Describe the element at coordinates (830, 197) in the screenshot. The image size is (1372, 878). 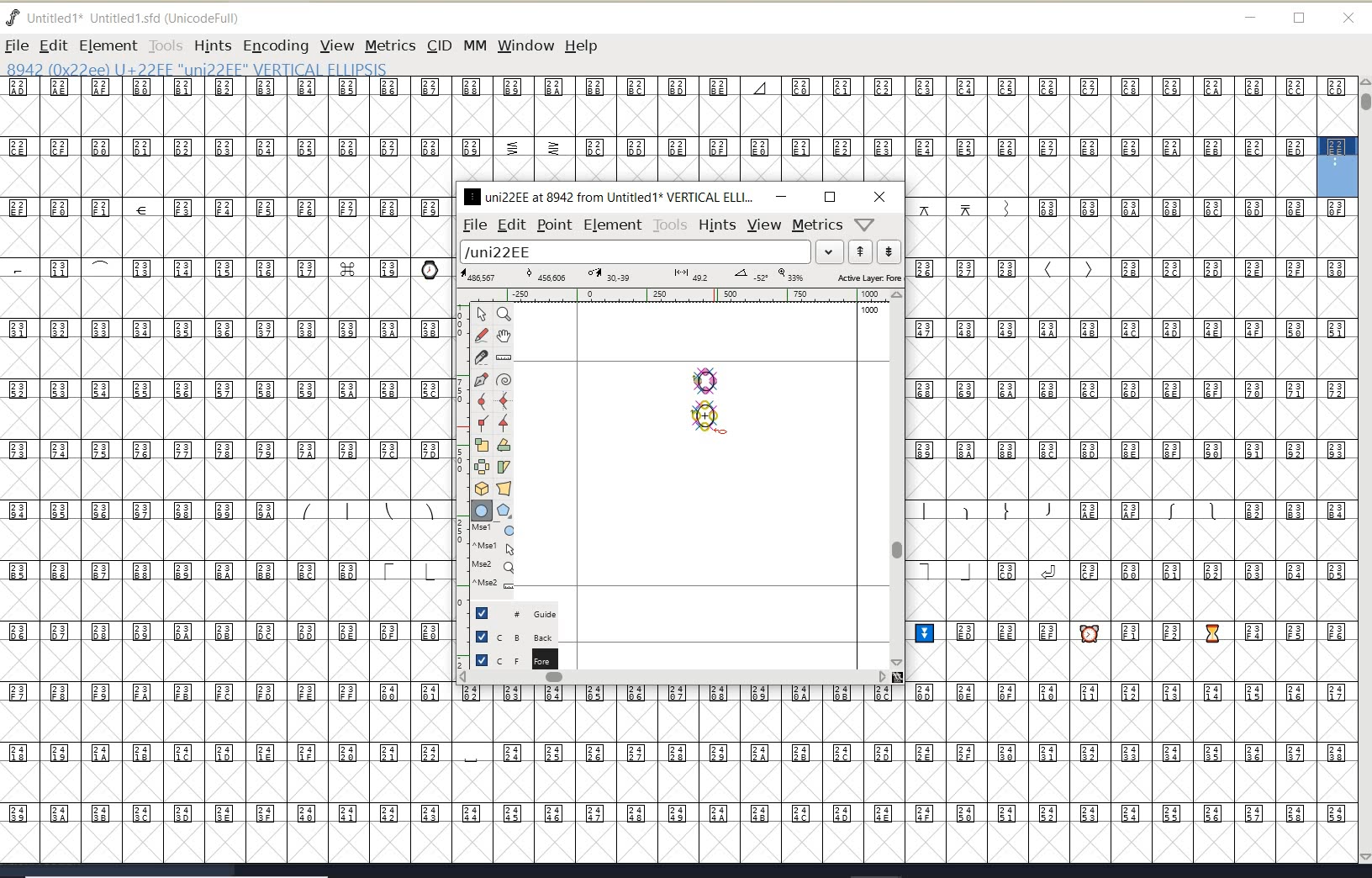
I see `restore` at that location.